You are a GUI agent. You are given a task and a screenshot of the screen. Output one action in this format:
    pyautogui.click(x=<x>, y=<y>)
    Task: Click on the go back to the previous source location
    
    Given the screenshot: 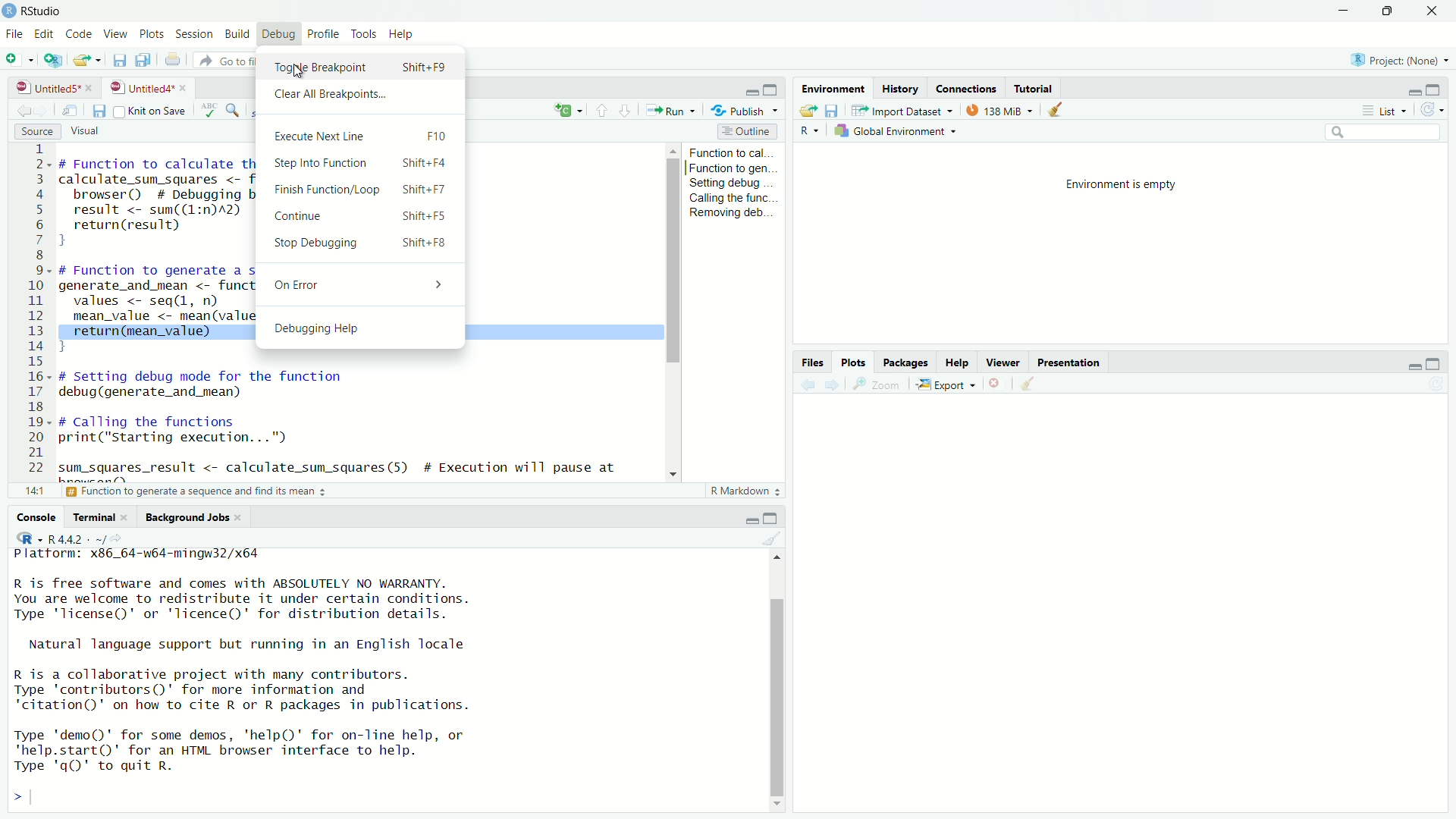 What is the action you would take?
    pyautogui.click(x=17, y=110)
    